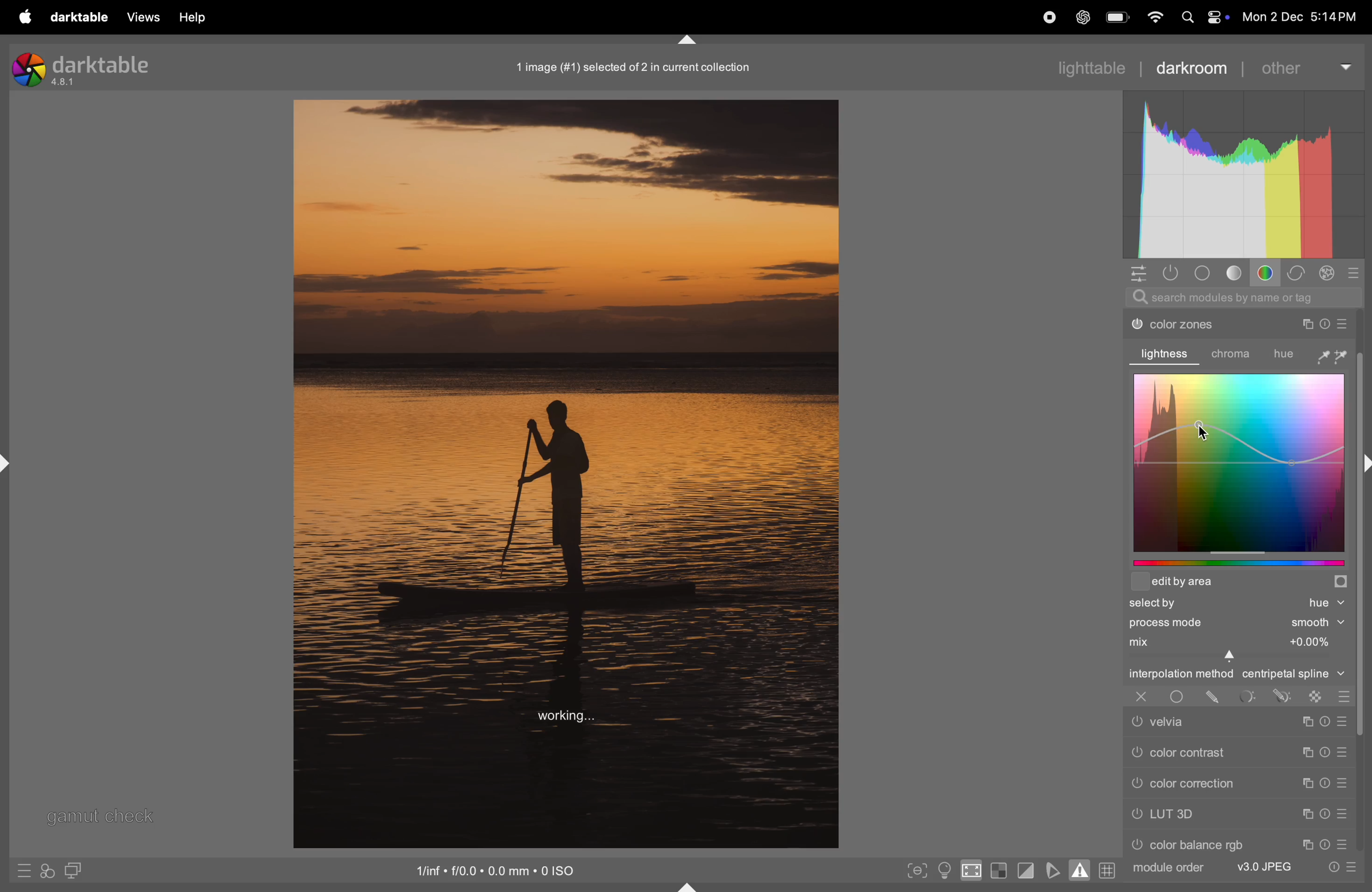 The image size is (1372, 892). I want to click on Timer, so click(1325, 814).